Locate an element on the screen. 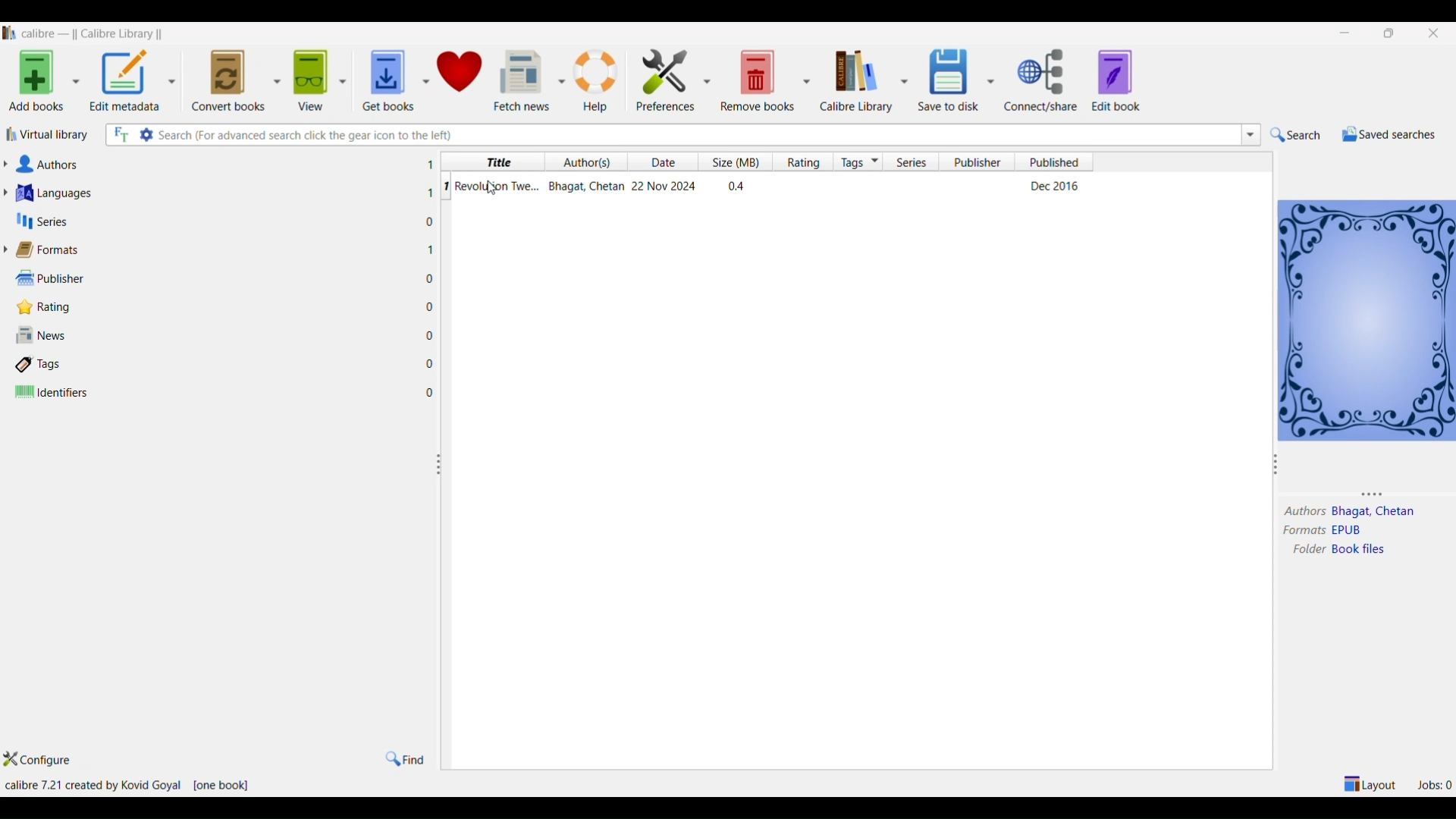 This screenshot has height=819, width=1456. save options dropdown button is located at coordinates (991, 80).